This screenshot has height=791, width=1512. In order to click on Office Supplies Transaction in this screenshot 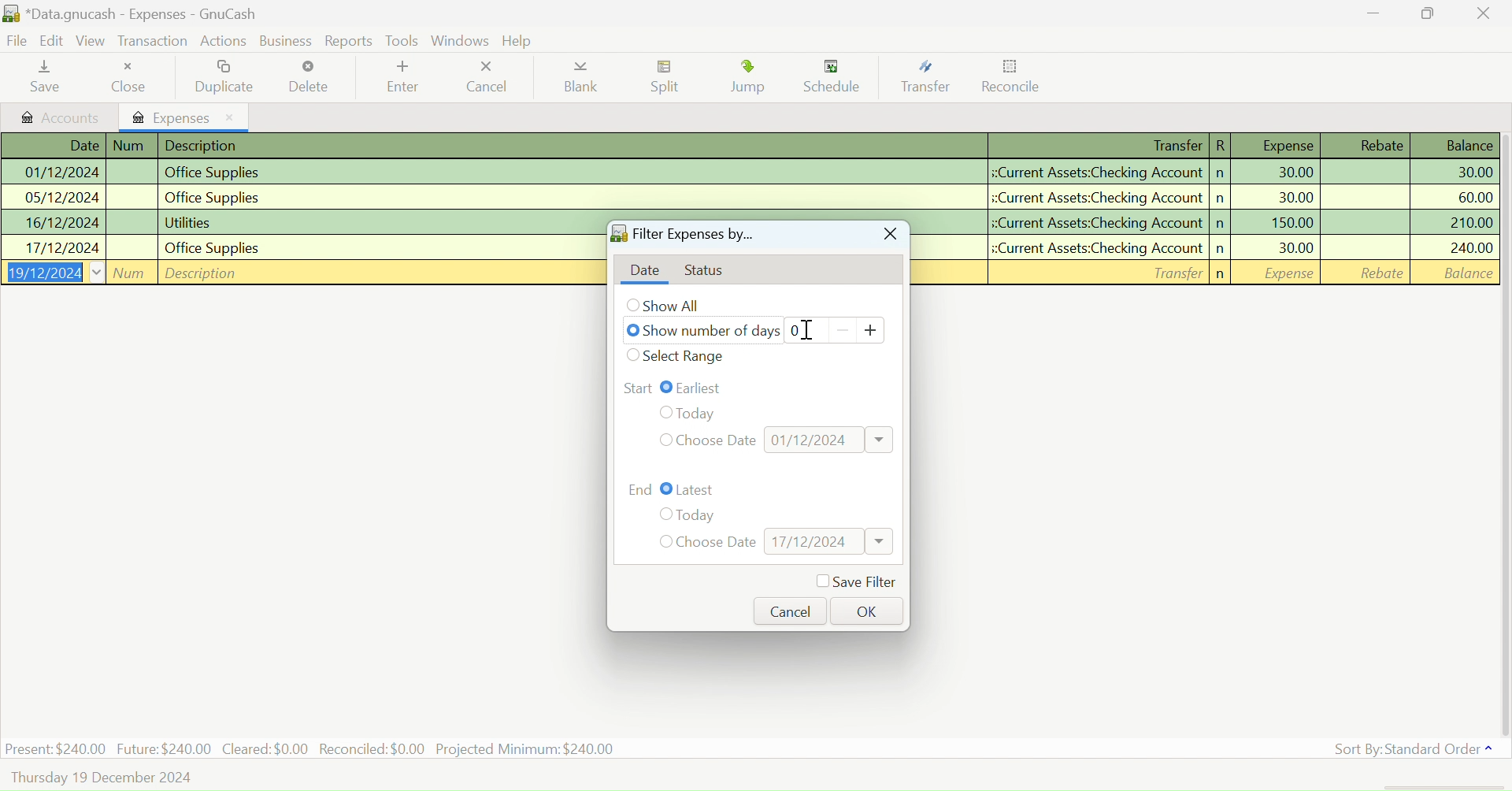, I will do `click(748, 197)`.